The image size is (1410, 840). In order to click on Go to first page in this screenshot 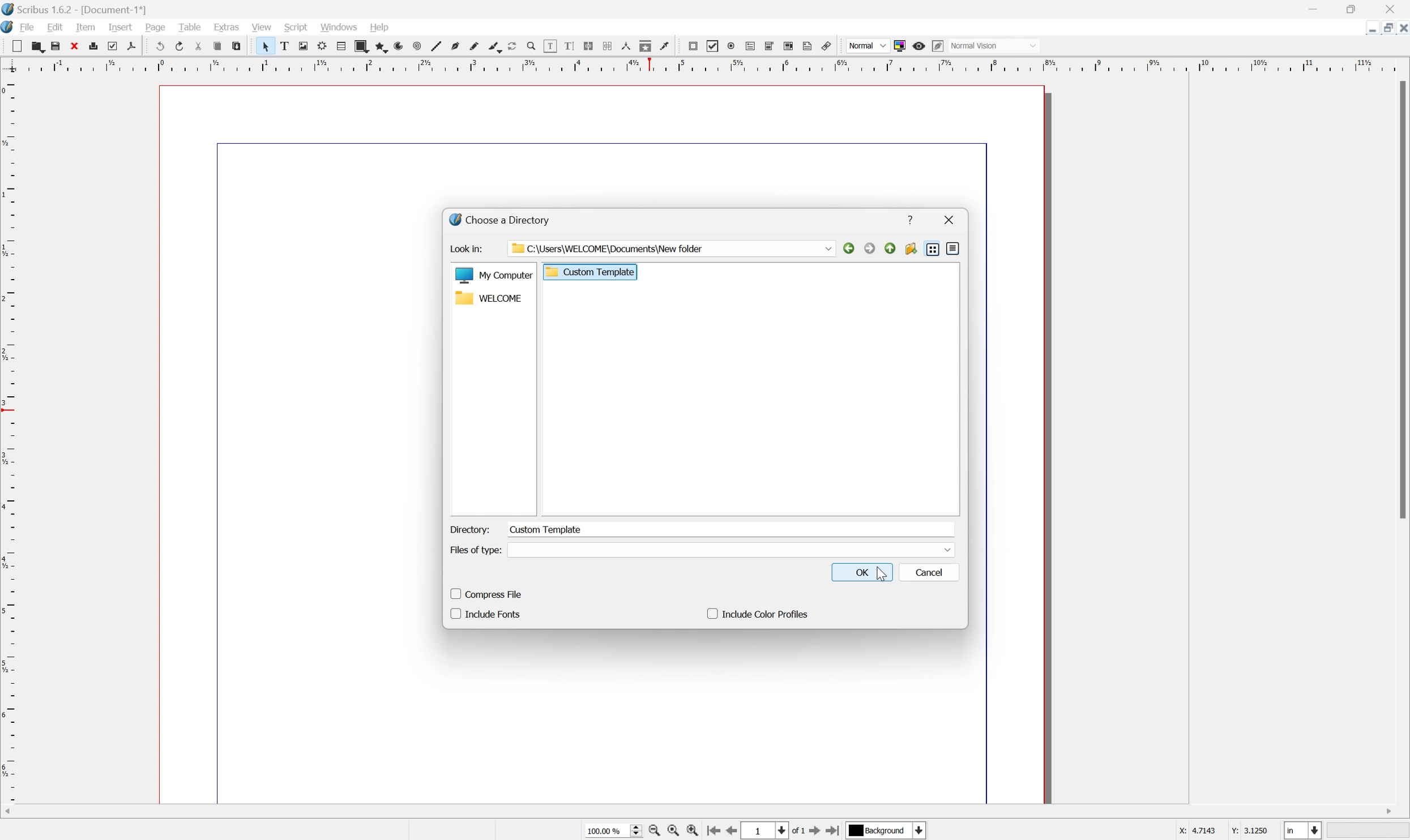, I will do `click(715, 830)`.